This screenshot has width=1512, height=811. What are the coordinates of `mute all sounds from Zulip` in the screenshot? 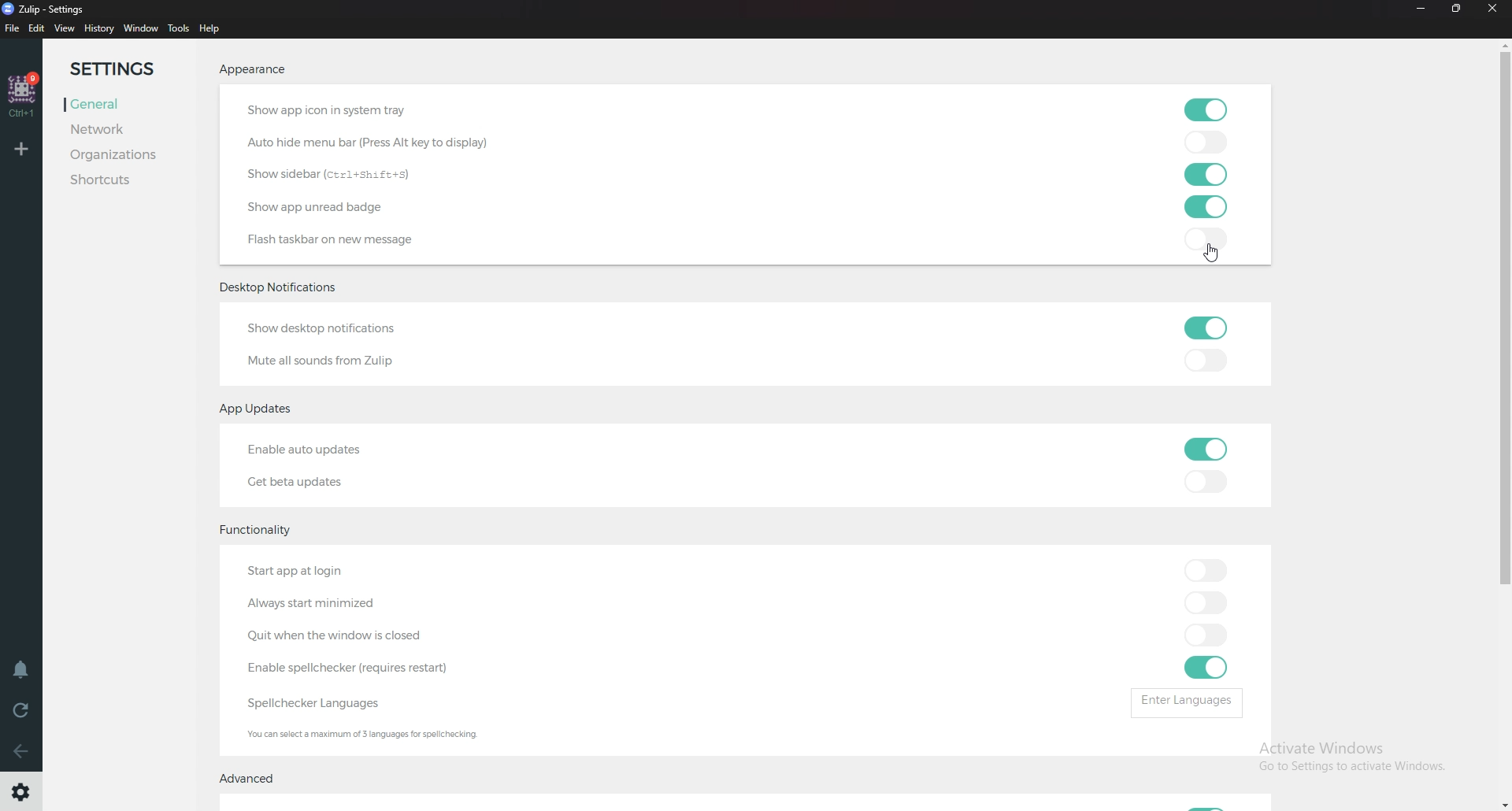 It's located at (322, 360).